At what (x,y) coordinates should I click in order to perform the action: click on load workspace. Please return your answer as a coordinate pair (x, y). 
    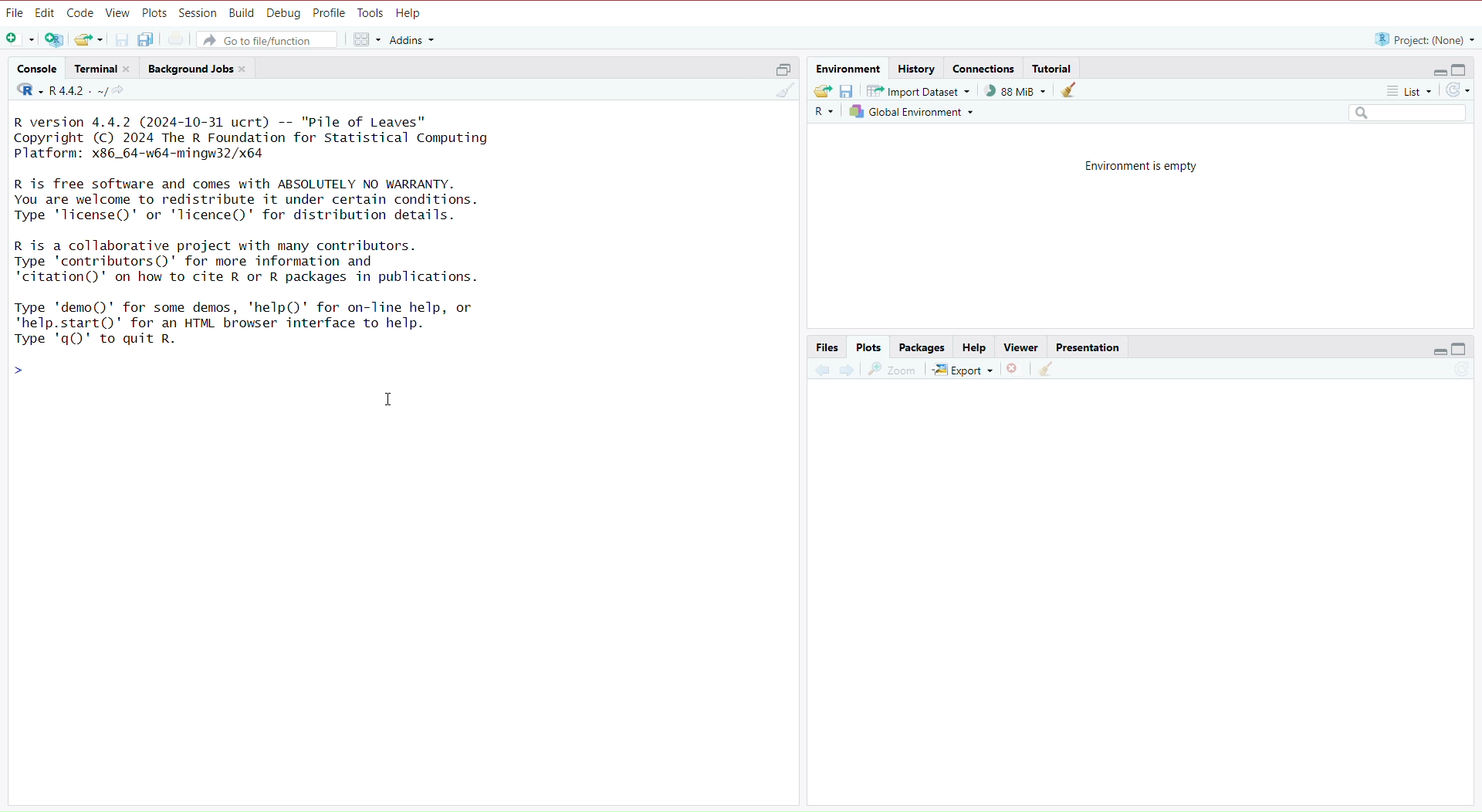
    Looking at the image, I should click on (823, 91).